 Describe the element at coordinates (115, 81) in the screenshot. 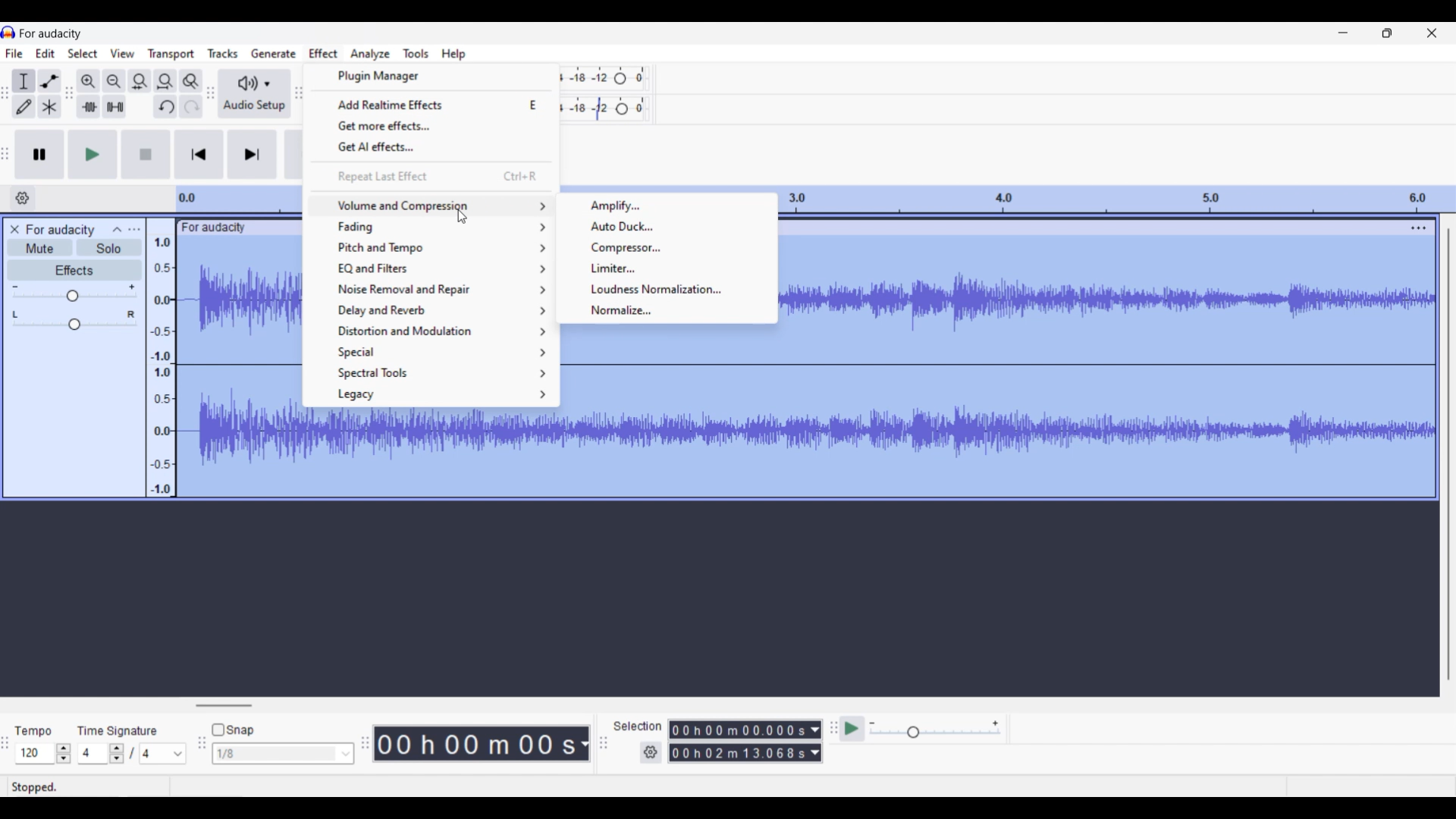

I see `Zoom out` at that location.